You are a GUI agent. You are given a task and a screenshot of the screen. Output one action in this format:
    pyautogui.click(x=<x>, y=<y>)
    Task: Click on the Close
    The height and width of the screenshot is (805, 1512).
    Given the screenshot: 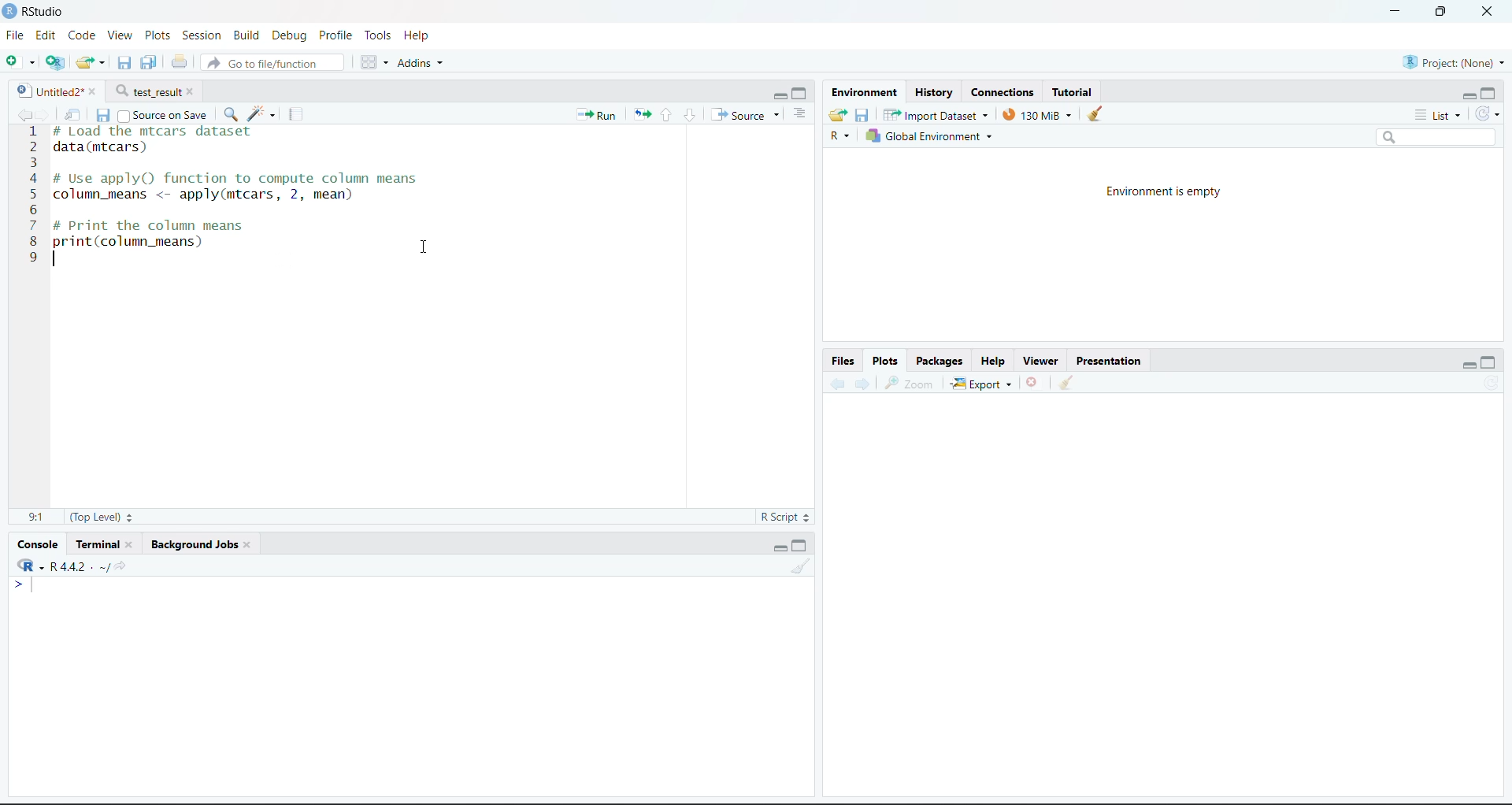 What is the action you would take?
    pyautogui.click(x=1483, y=13)
    